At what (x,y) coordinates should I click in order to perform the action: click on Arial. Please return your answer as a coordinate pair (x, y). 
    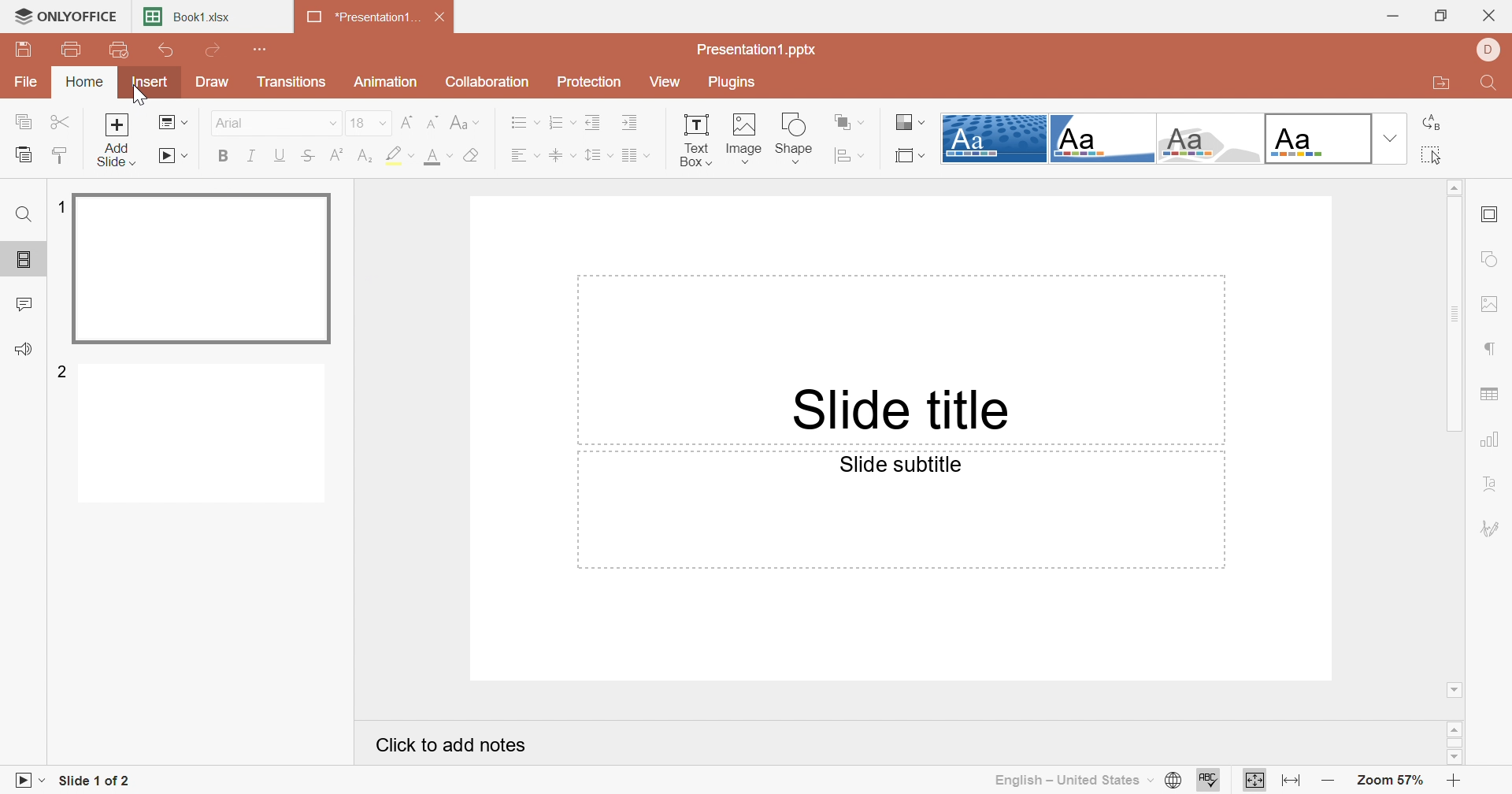
    Looking at the image, I should click on (230, 122).